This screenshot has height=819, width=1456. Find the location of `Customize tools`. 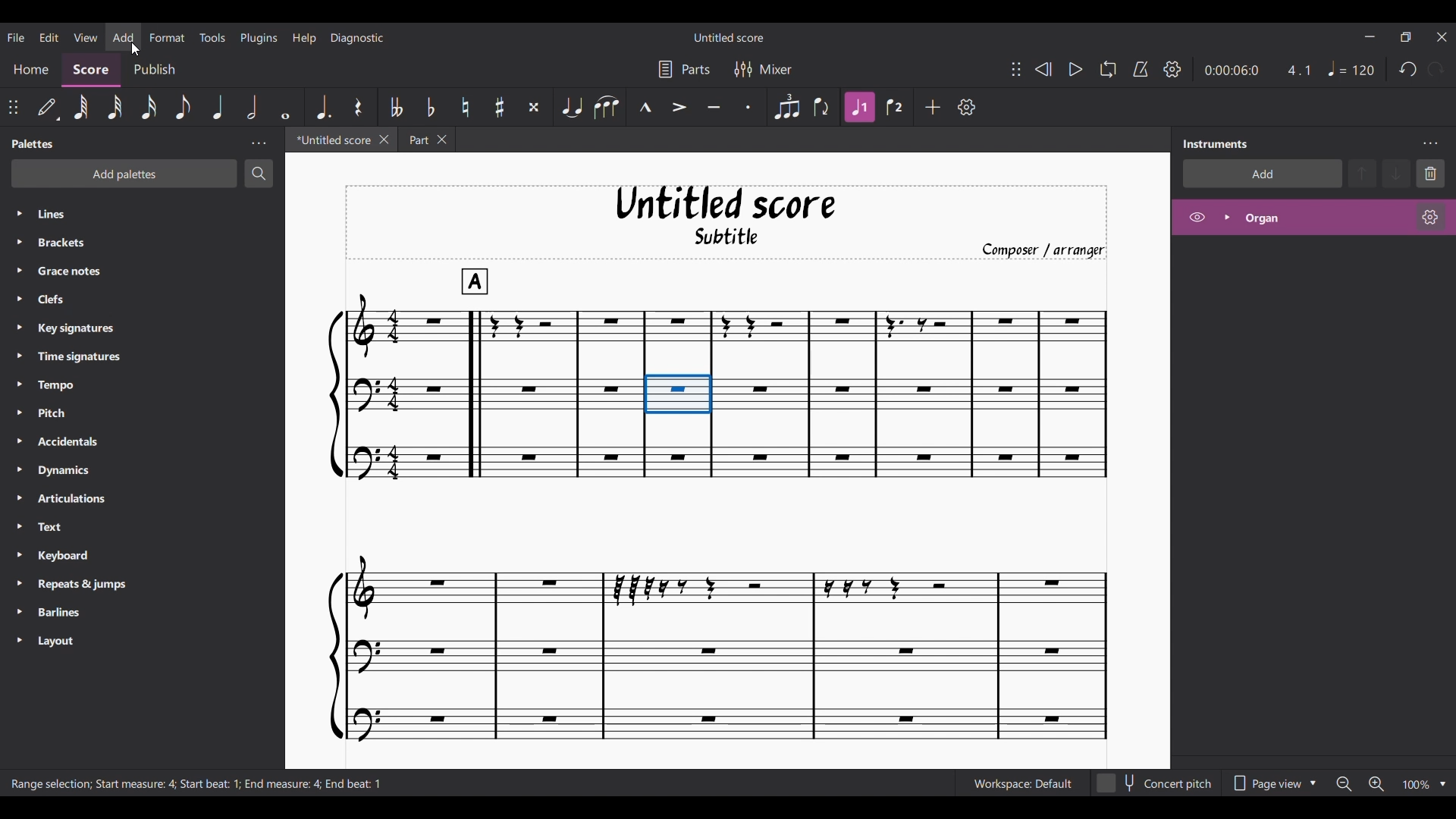

Customize tools is located at coordinates (966, 106).